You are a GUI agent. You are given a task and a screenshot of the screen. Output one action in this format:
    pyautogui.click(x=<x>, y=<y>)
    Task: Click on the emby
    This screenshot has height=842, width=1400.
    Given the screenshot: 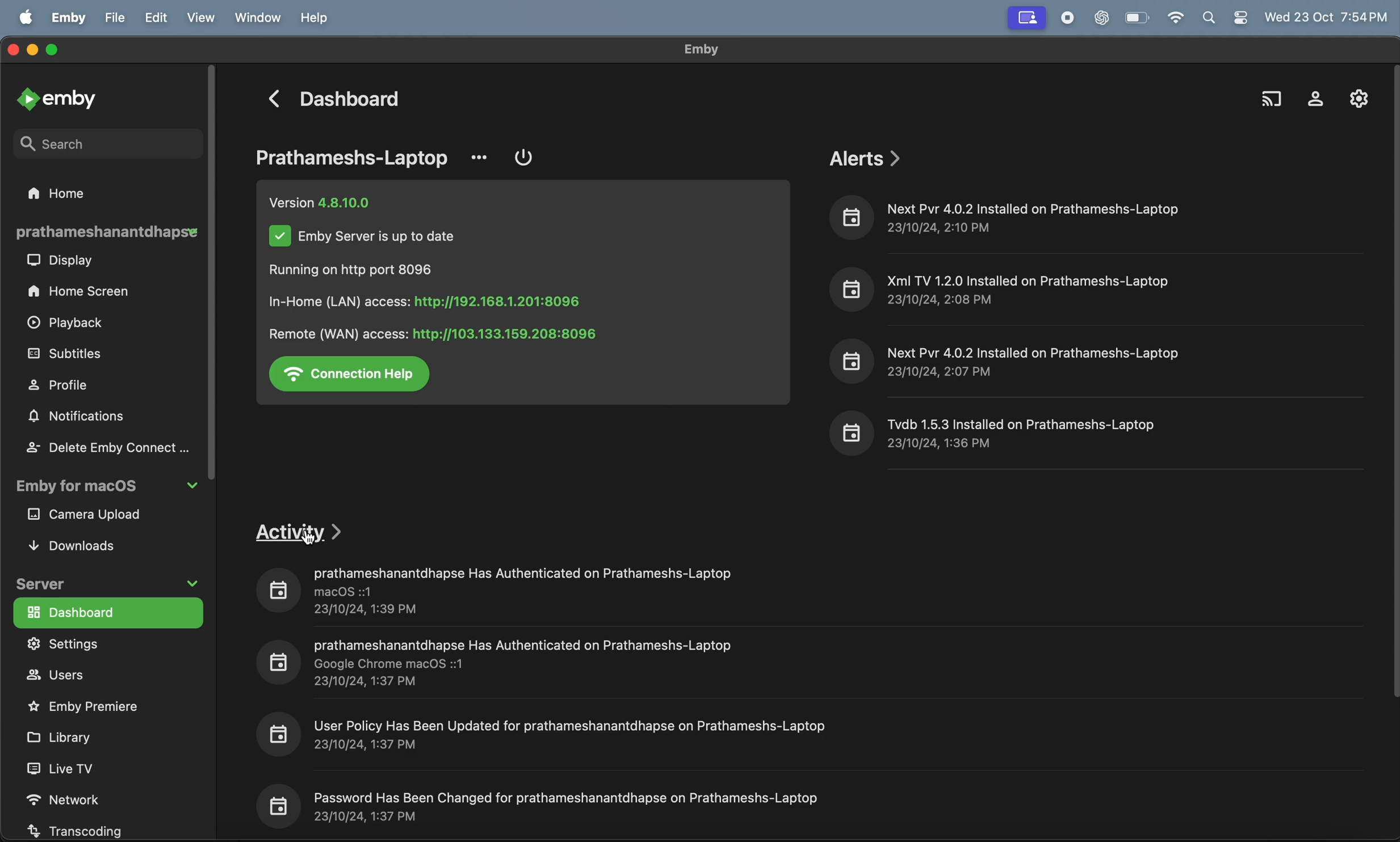 What is the action you would take?
    pyautogui.click(x=63, y=98)
    